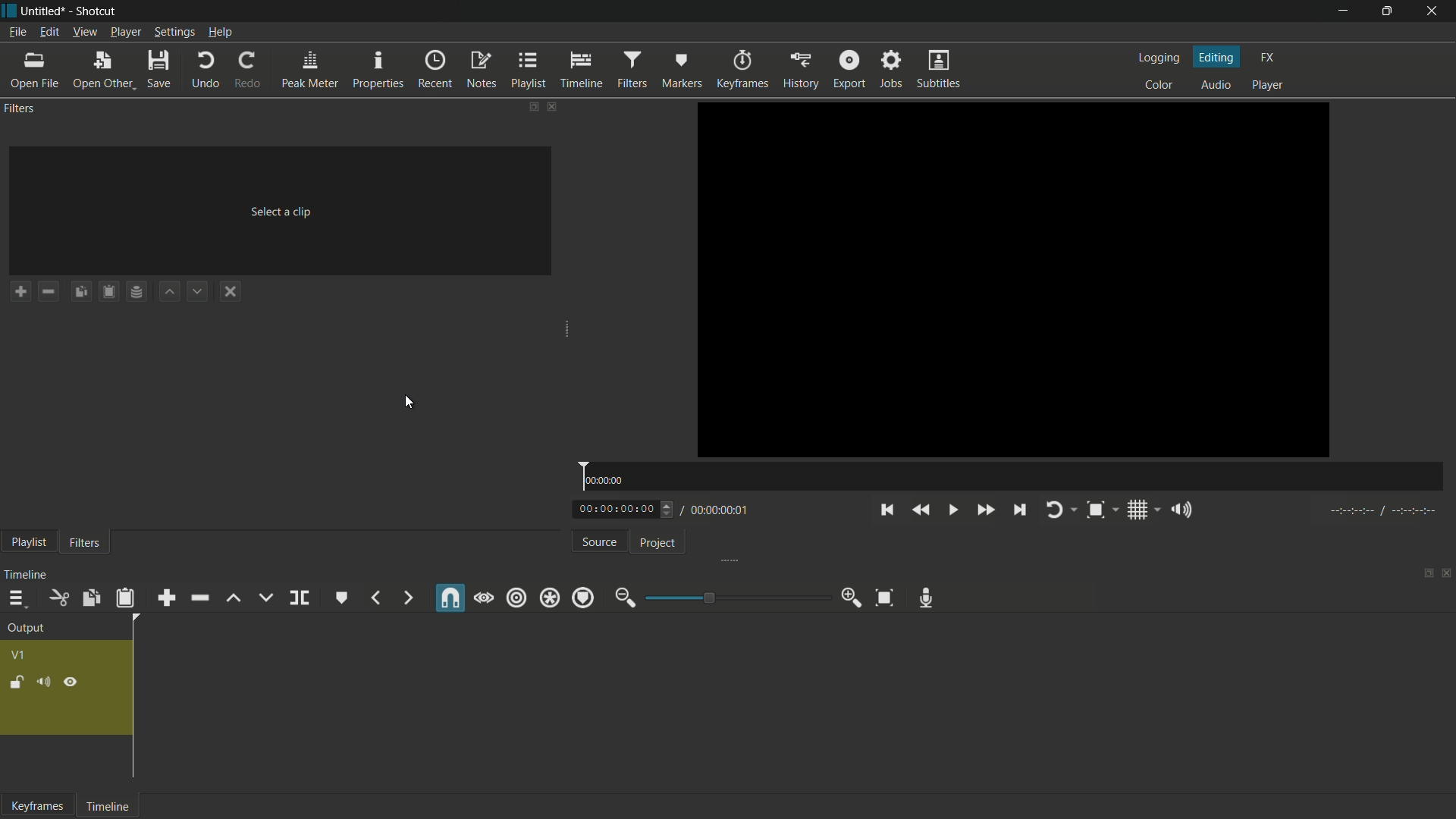 The image size is (1456, 819). What do you see at coordinates (926, 598) in the screenshot?
I see `record audio` at bounding box center [926, 598].